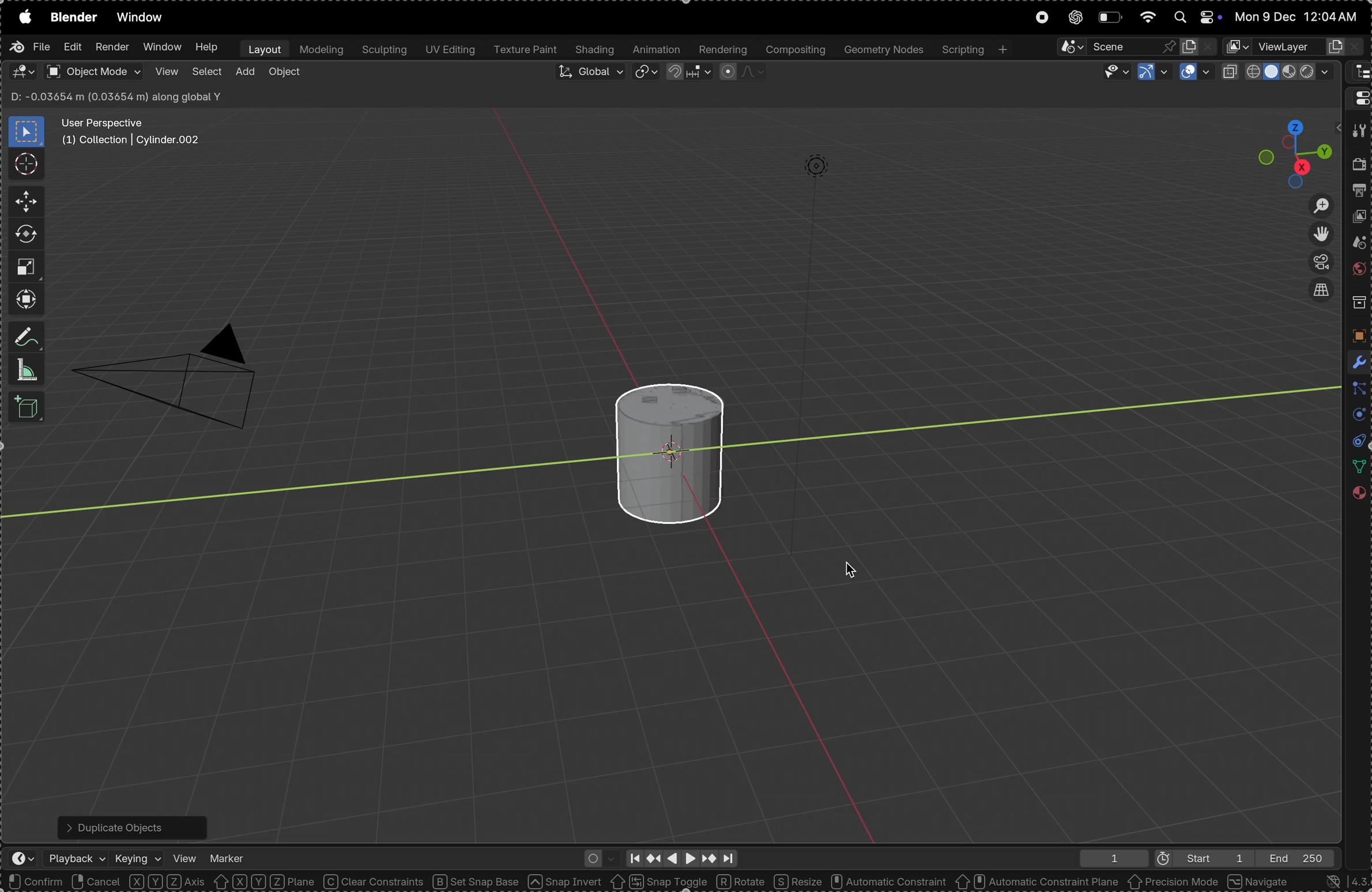  I want to click on transform pivoit point, so click(647, 73).